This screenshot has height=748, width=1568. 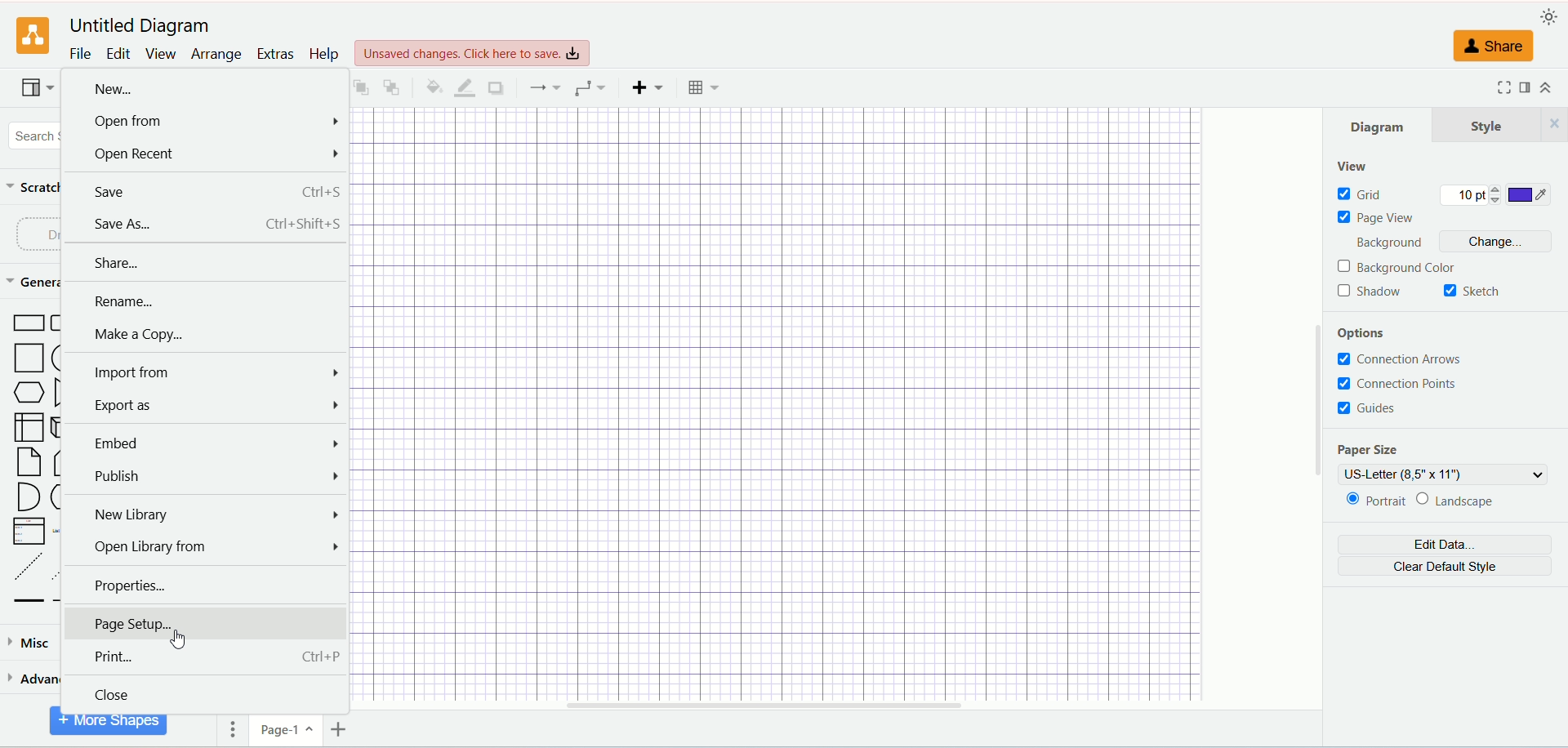 I want to click on share, so click(x=1496, y=47).